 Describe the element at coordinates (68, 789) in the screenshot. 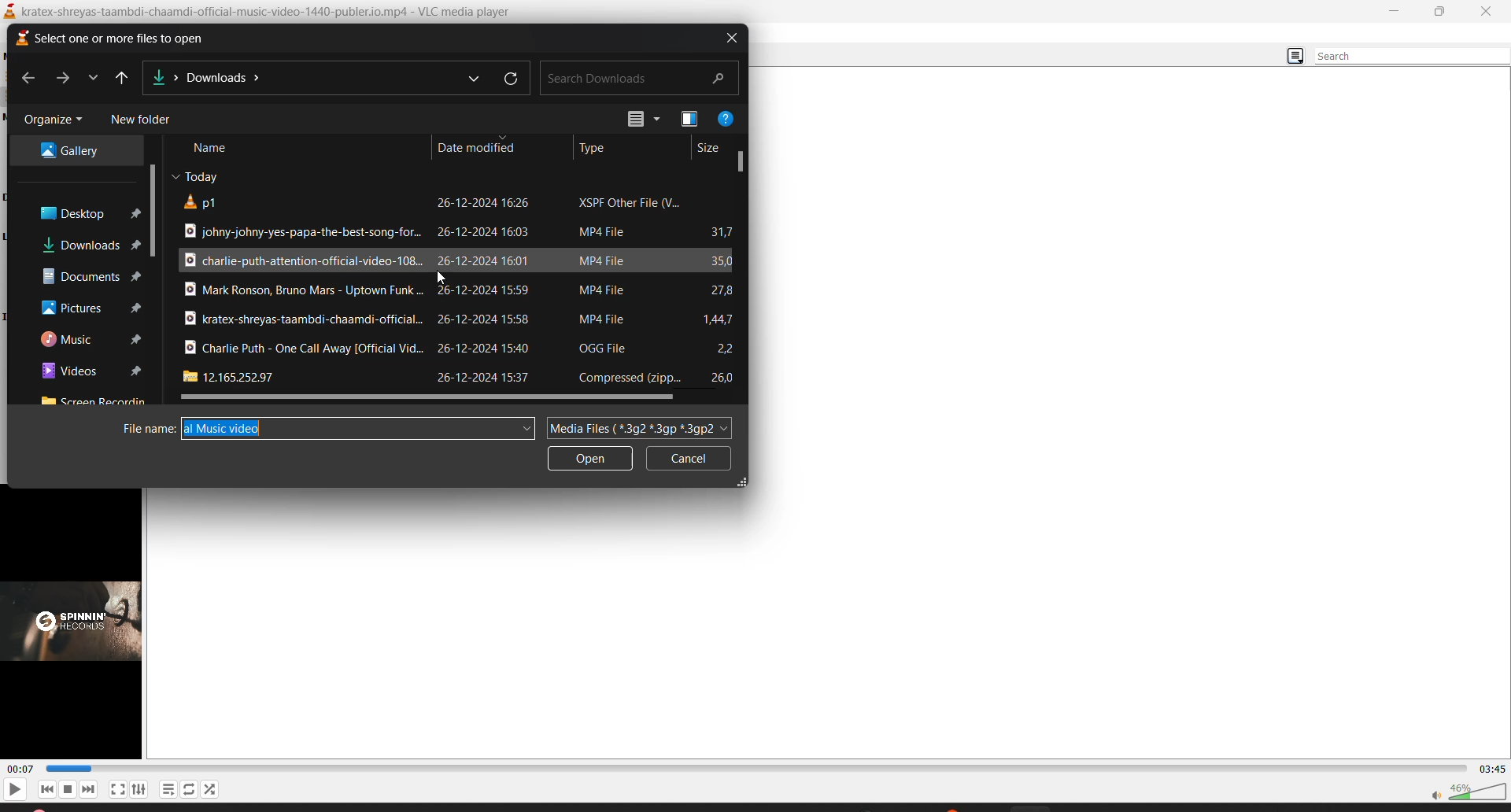

I see `stop` at that location.